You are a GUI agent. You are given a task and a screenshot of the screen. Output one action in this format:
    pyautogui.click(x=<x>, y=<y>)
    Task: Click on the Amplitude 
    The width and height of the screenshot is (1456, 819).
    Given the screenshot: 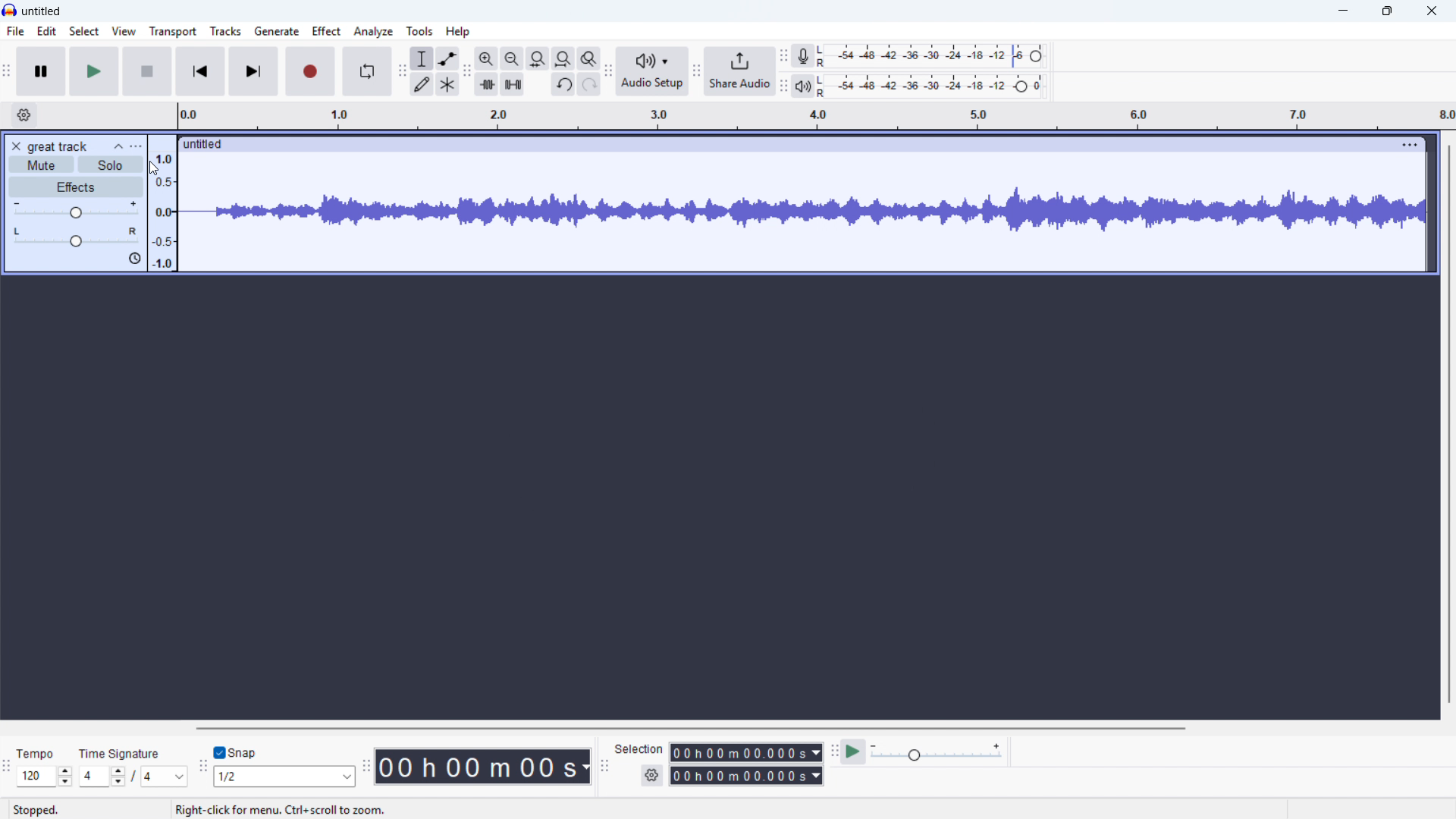 What is the action you would take?
    pyautogui.click(x=161, y=202)
    